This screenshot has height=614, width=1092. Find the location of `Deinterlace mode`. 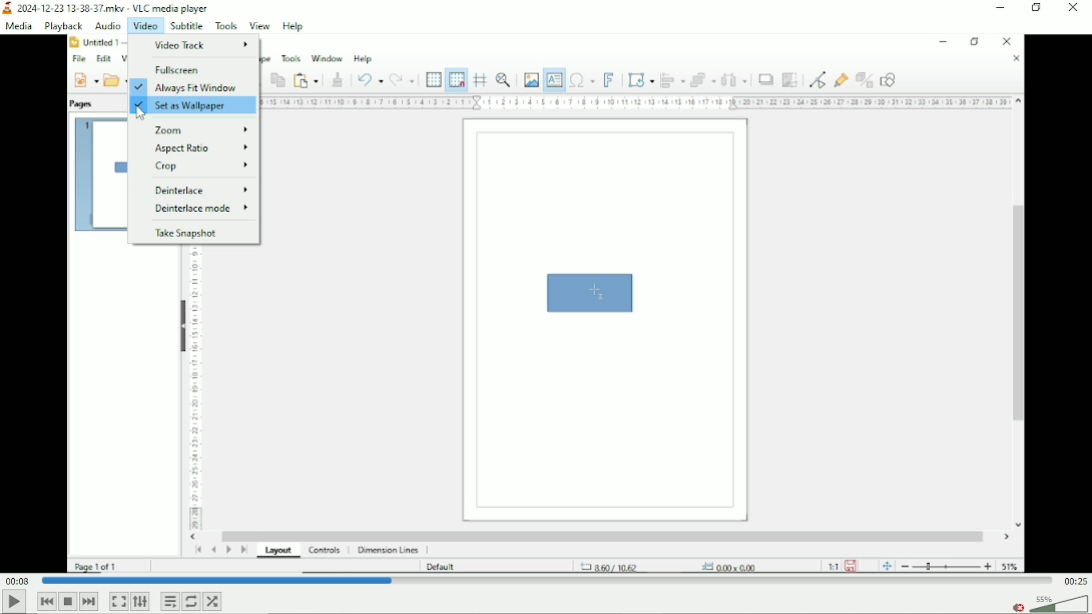

Deinterlace mode is located at coordinates (200, 209).